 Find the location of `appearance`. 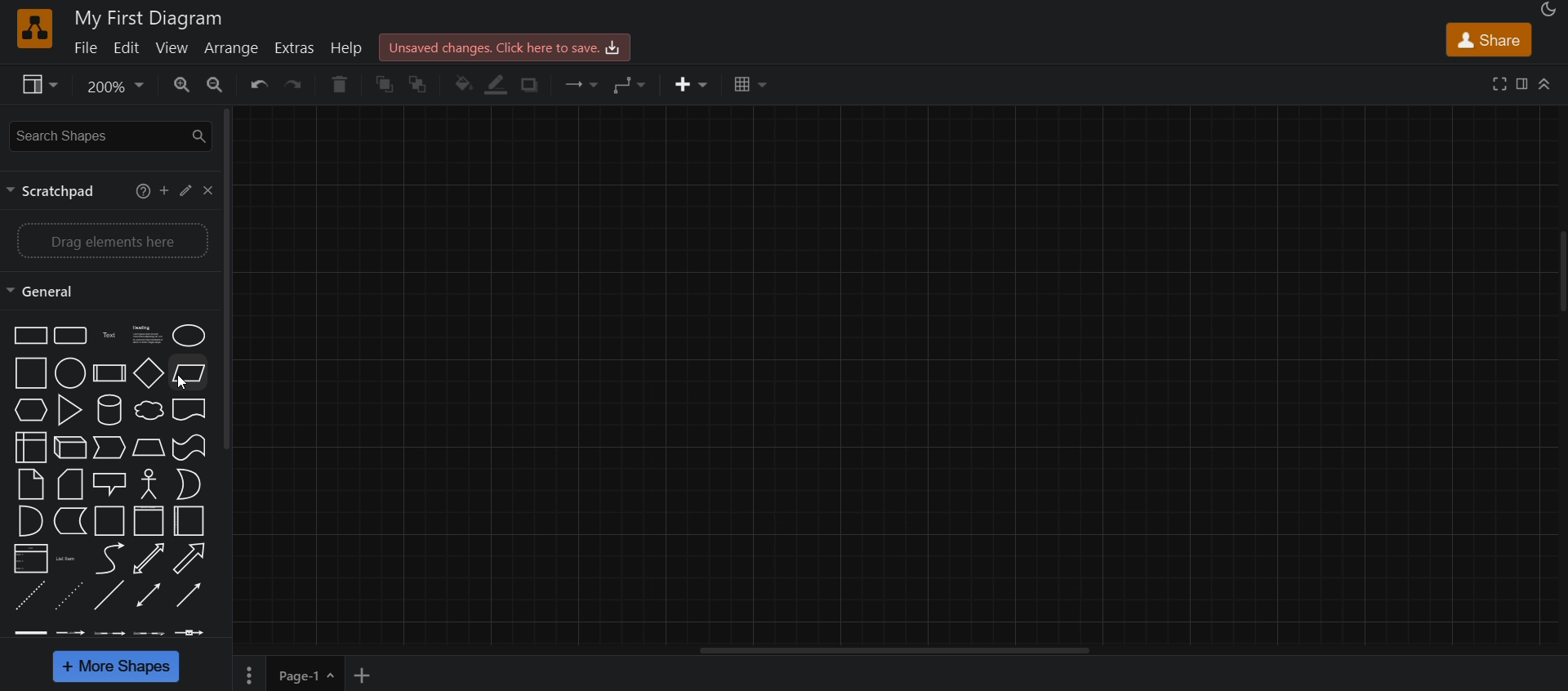

appearance is located at coordinates (1548, 11).